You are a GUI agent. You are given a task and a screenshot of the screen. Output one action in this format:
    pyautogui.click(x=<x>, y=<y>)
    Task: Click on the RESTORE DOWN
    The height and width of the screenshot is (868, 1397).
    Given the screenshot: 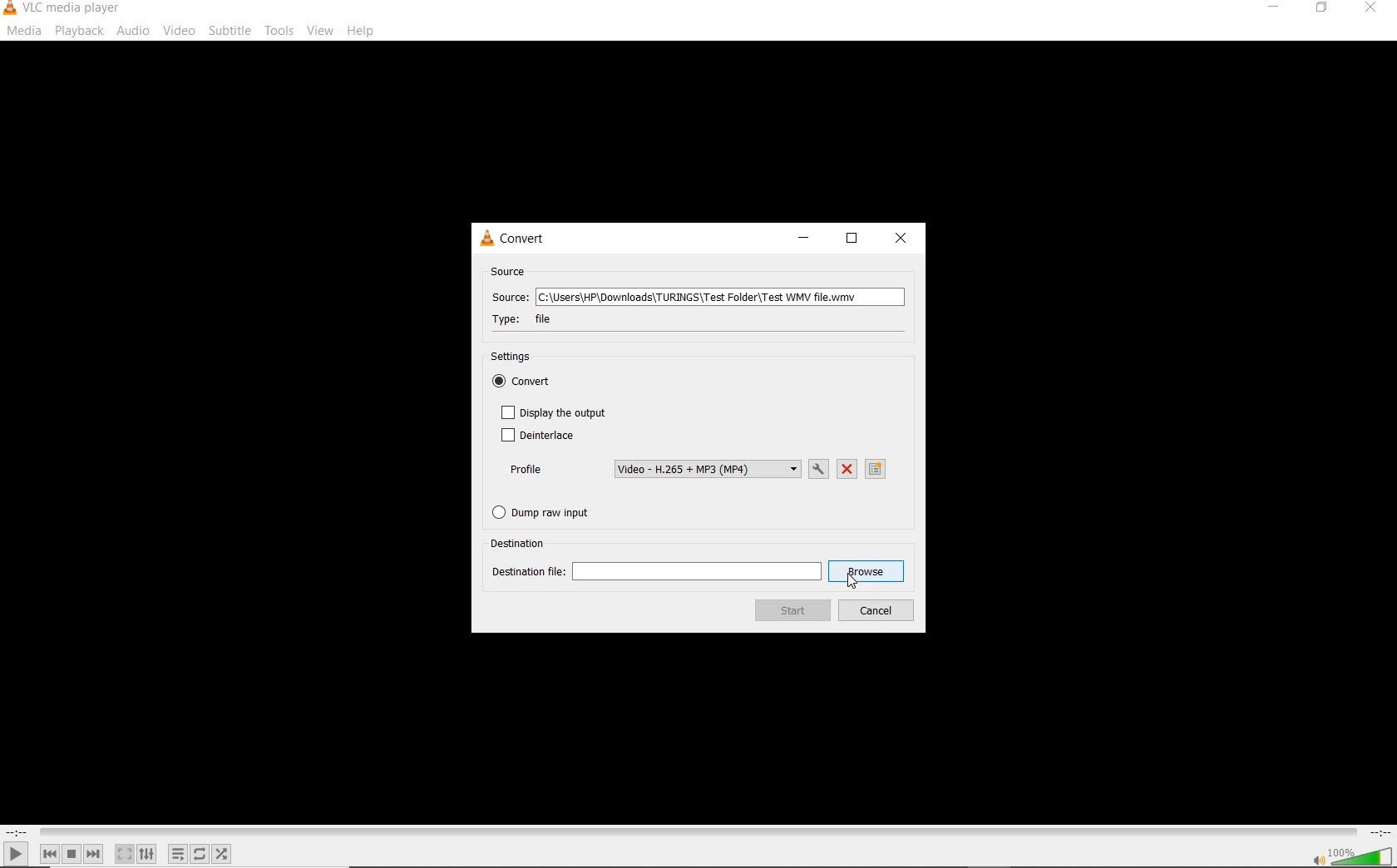 What is the action you would take?
    pyautogui.click(x=852, y=240)
    